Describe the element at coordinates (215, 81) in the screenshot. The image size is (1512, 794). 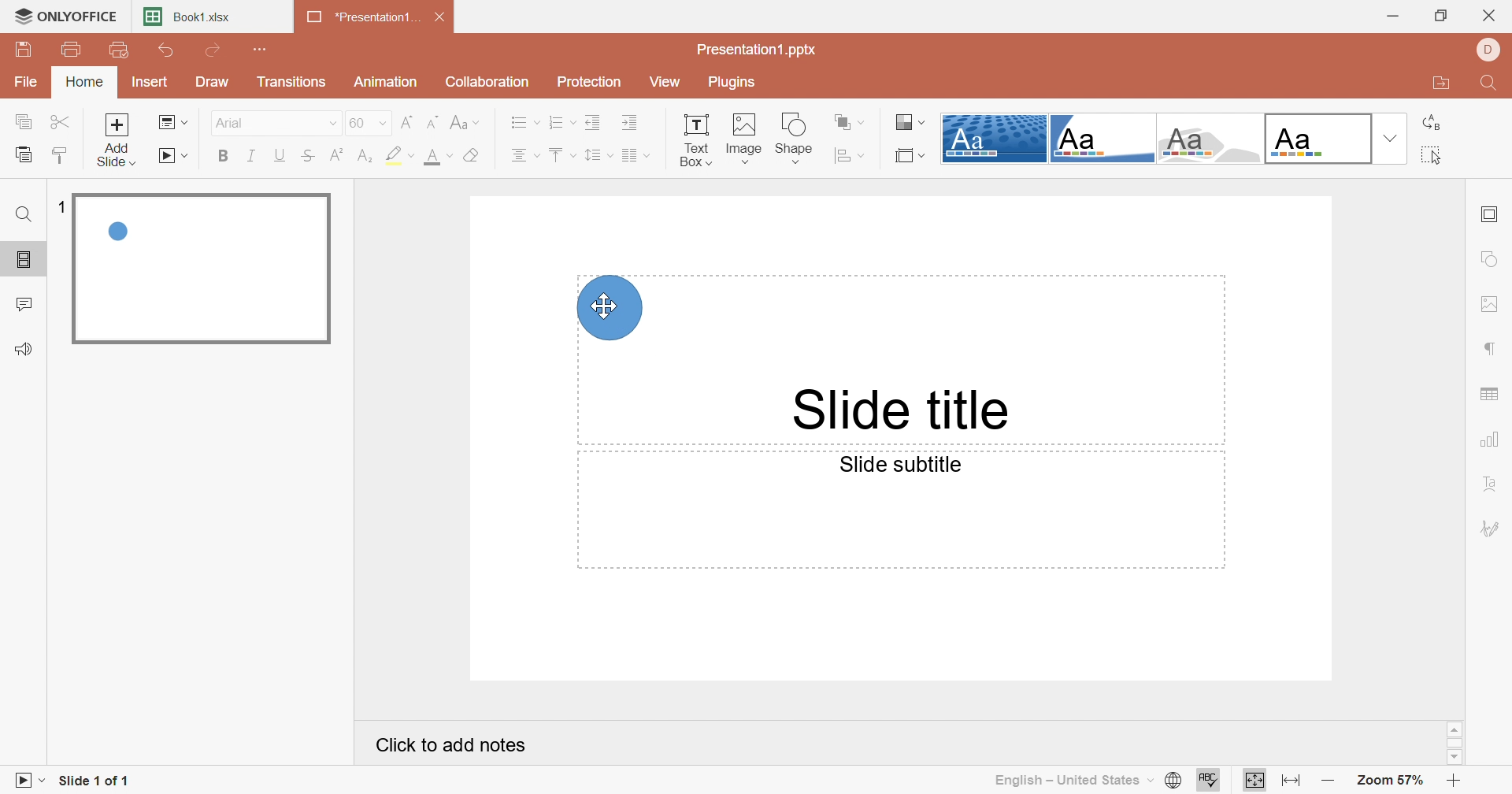
I see `Draw` at that location.